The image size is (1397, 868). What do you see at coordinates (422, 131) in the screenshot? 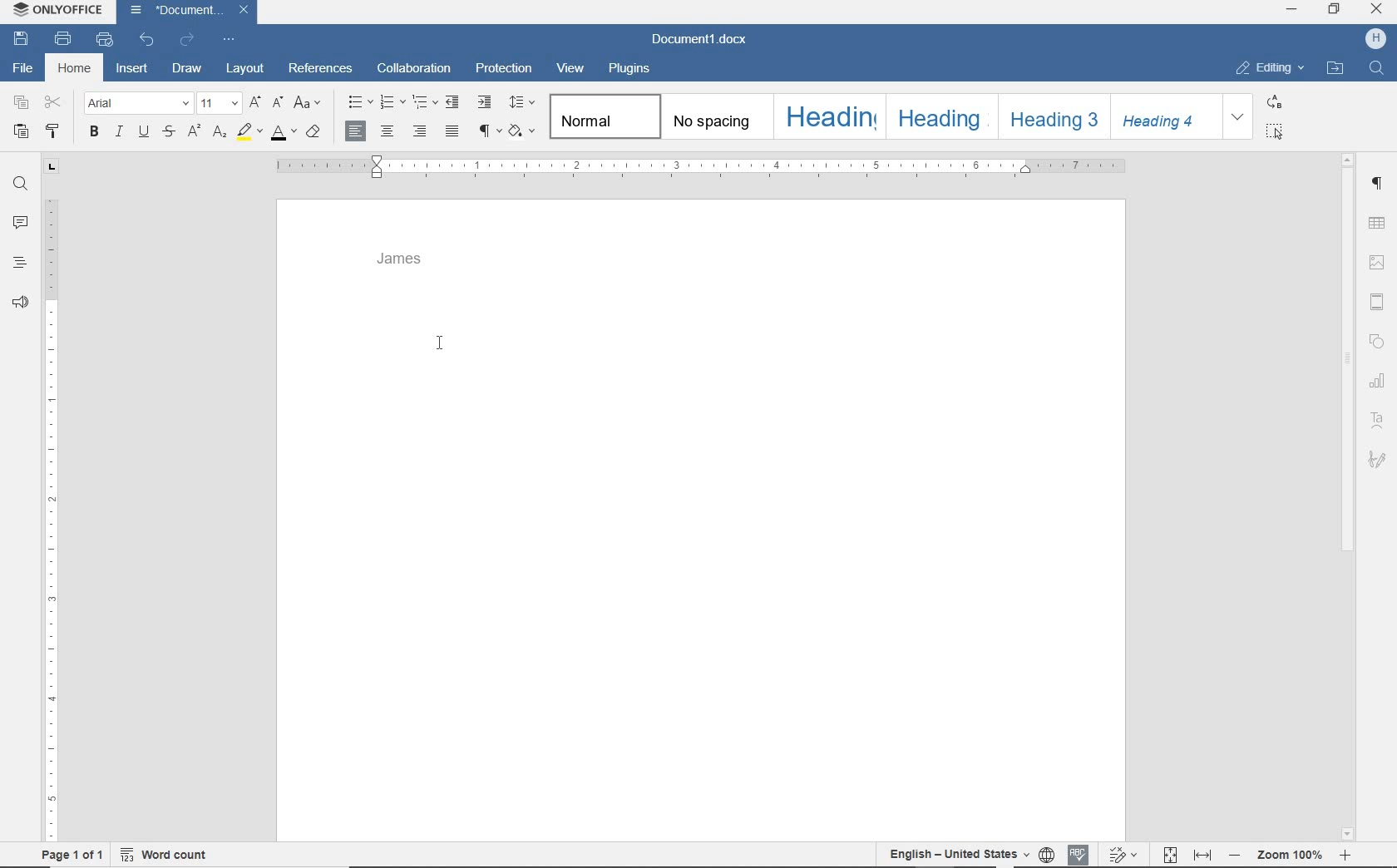
I see `align right` at bounding box center [422, 131].